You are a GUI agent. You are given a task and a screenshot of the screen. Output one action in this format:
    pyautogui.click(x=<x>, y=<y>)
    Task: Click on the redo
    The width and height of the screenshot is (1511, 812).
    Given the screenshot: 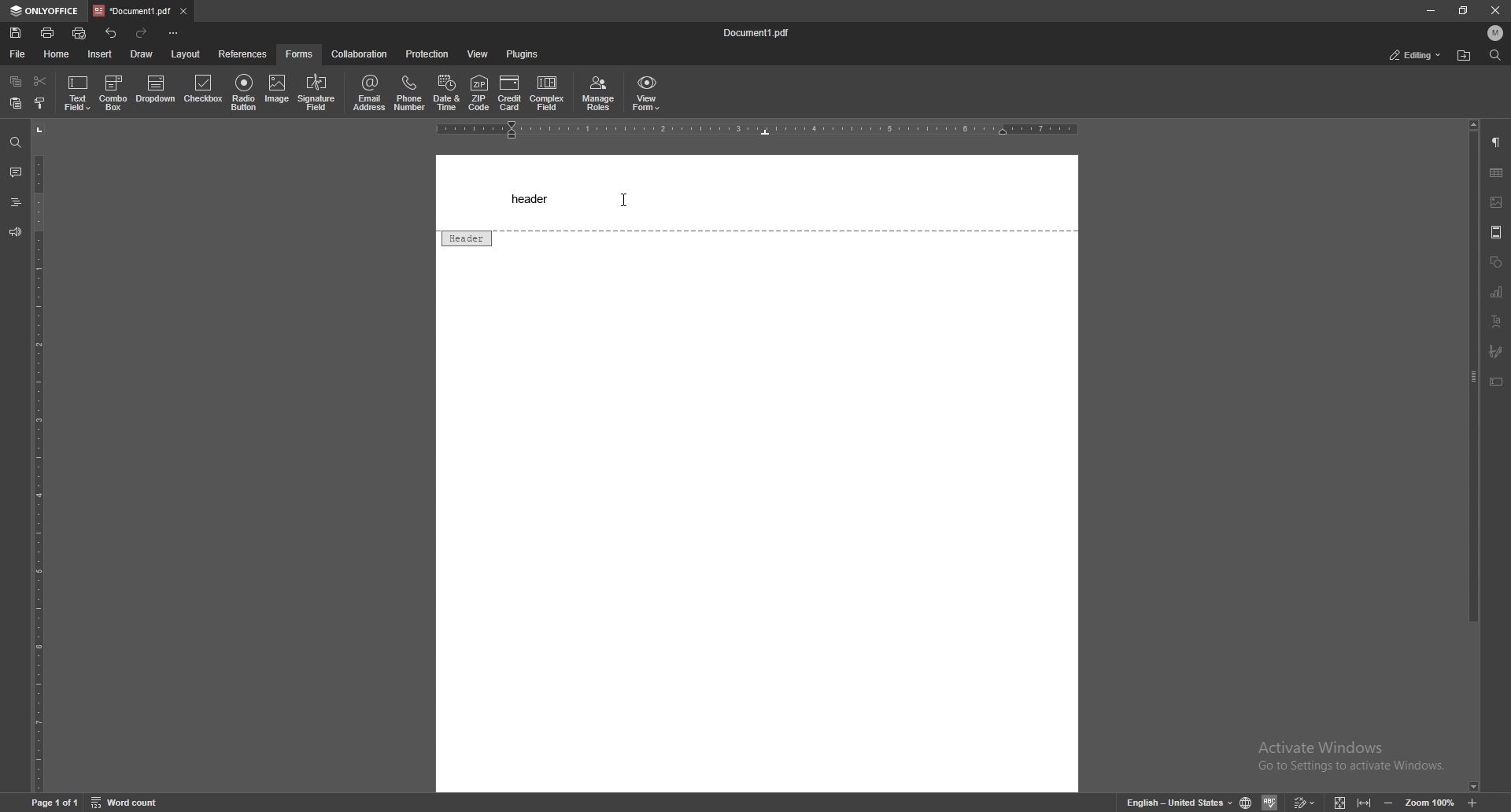 What is the action you would take?
    pyautogui.click(x=141, y=34)
    